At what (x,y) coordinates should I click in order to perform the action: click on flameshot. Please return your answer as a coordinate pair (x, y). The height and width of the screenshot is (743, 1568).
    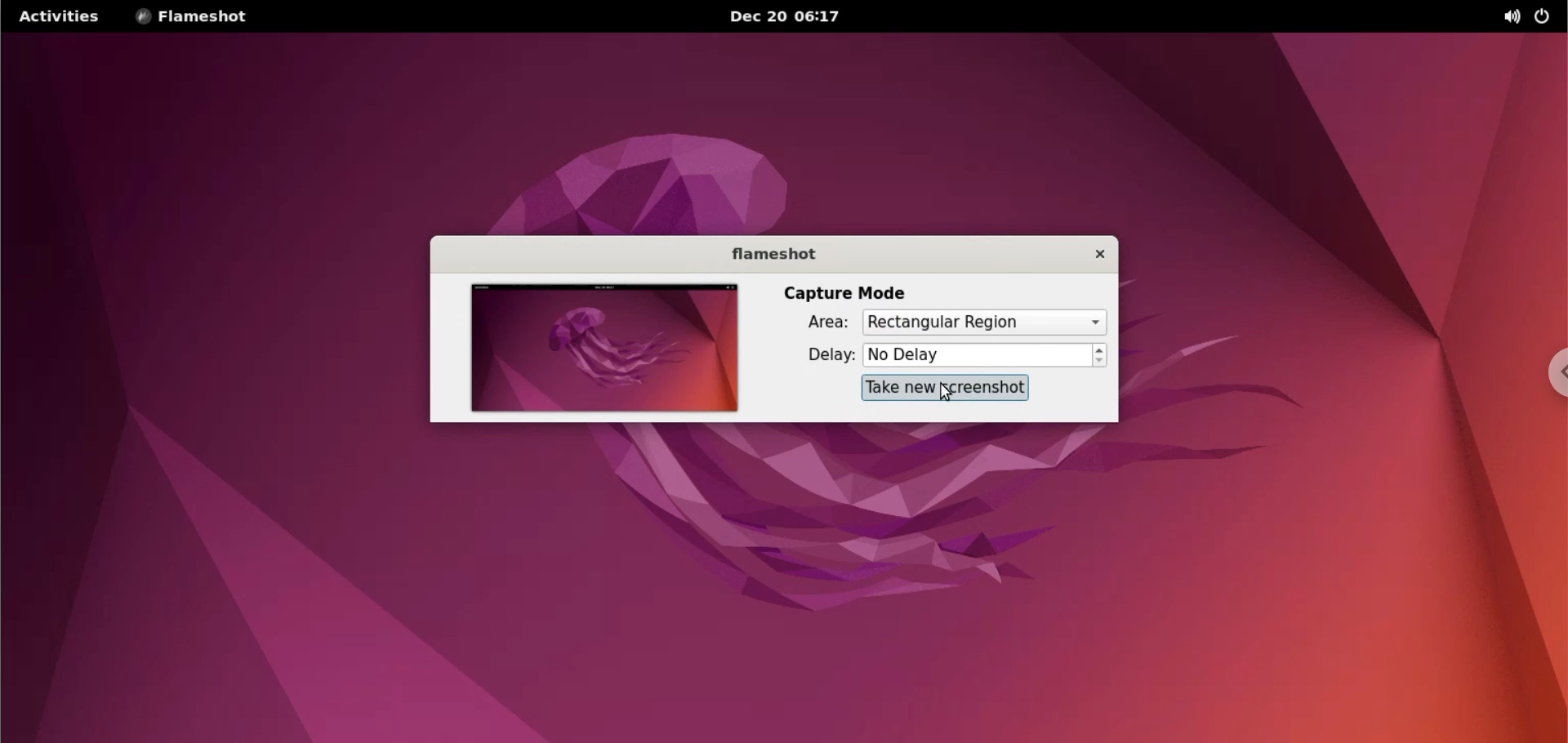
    Looking at the image, I should click on (765, 252).